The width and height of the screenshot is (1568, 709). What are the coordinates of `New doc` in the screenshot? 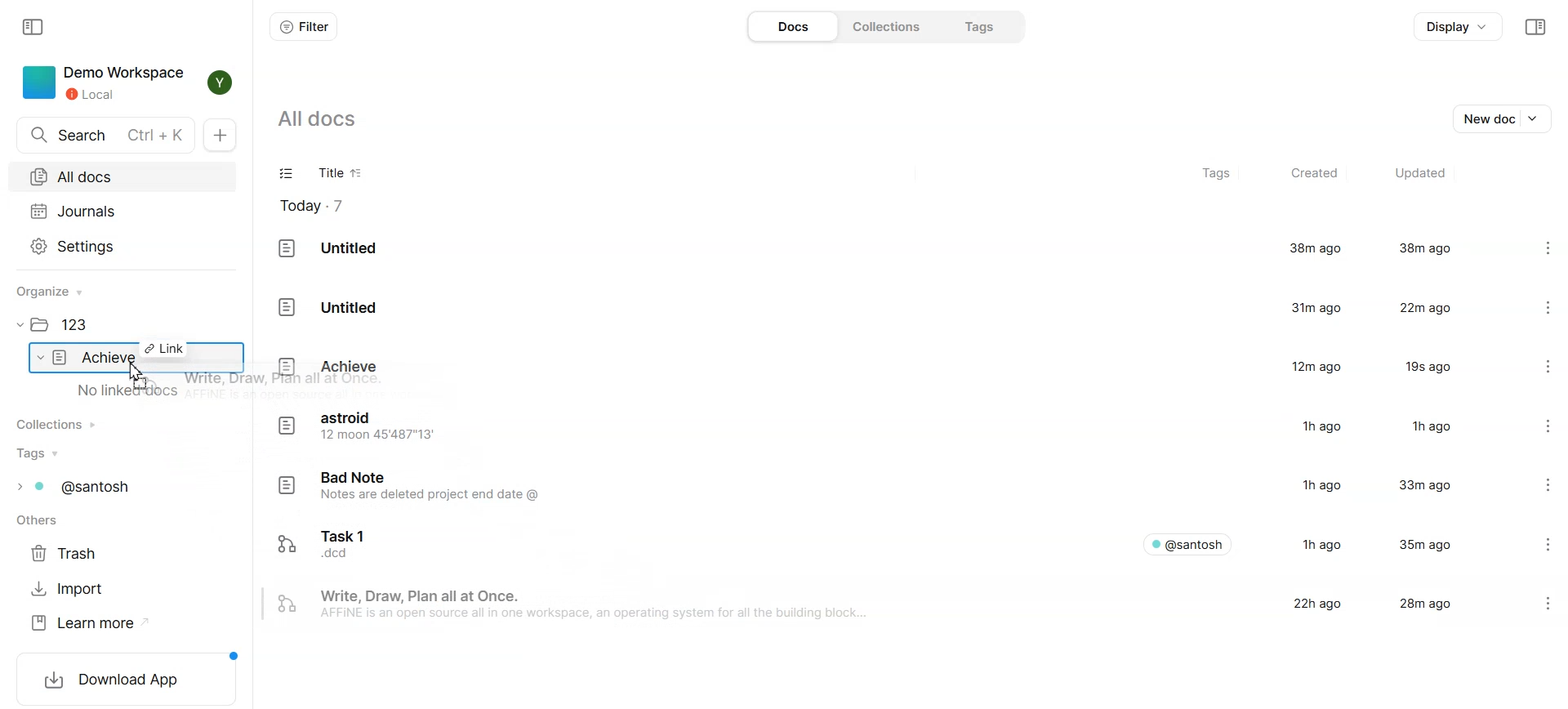 It's located at (224, 136).